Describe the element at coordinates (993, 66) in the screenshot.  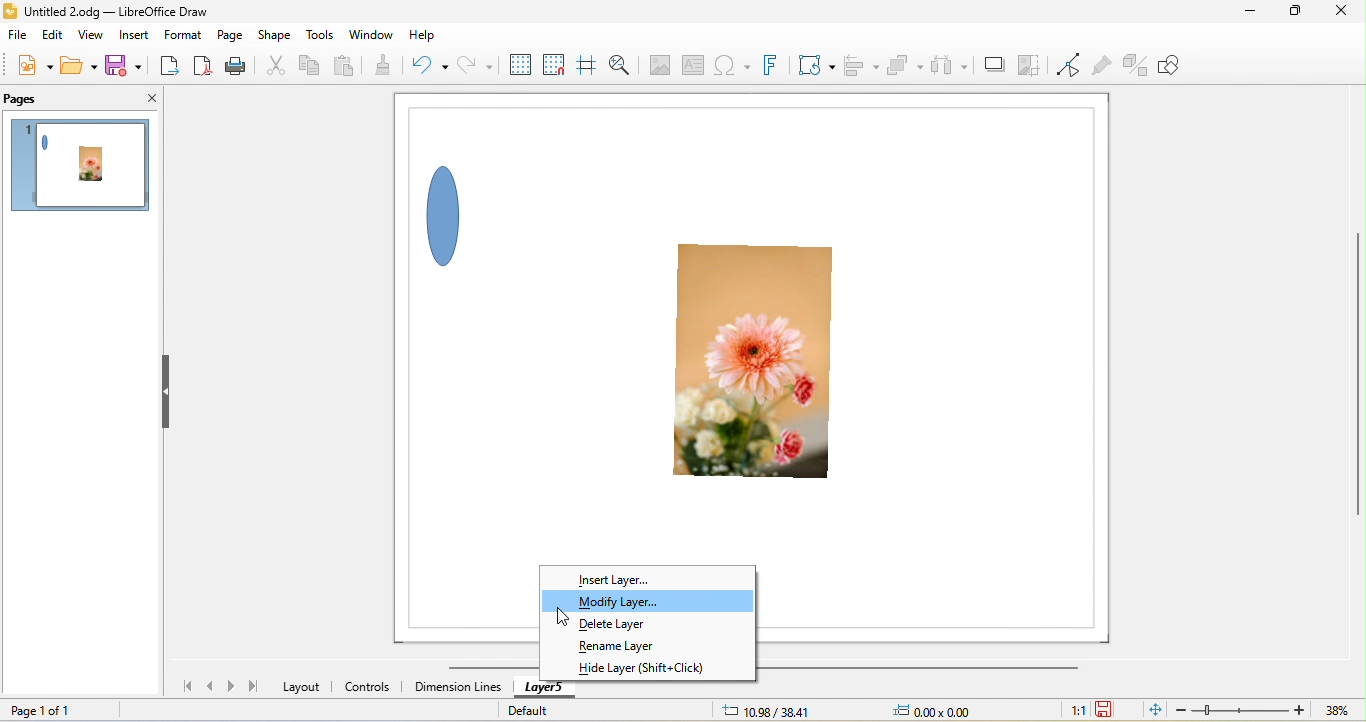
I see `shadow` at that location.